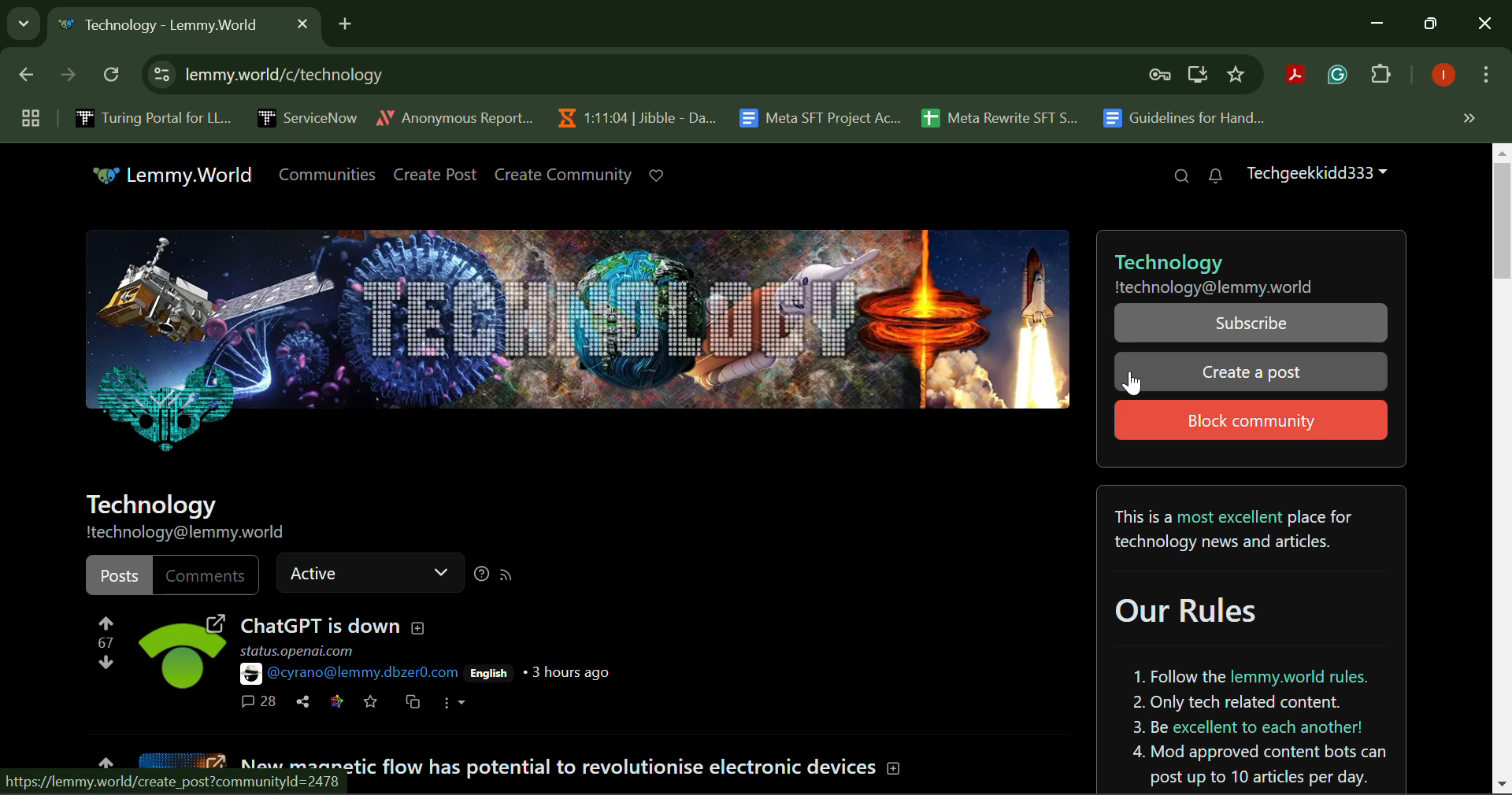 Image resolution: width=1512 pixels, height=795 pixels. Describe the element at coordinates (608, 73) in the screenshot. I see `Website Address: lemmy.world/c/technology` at that location.